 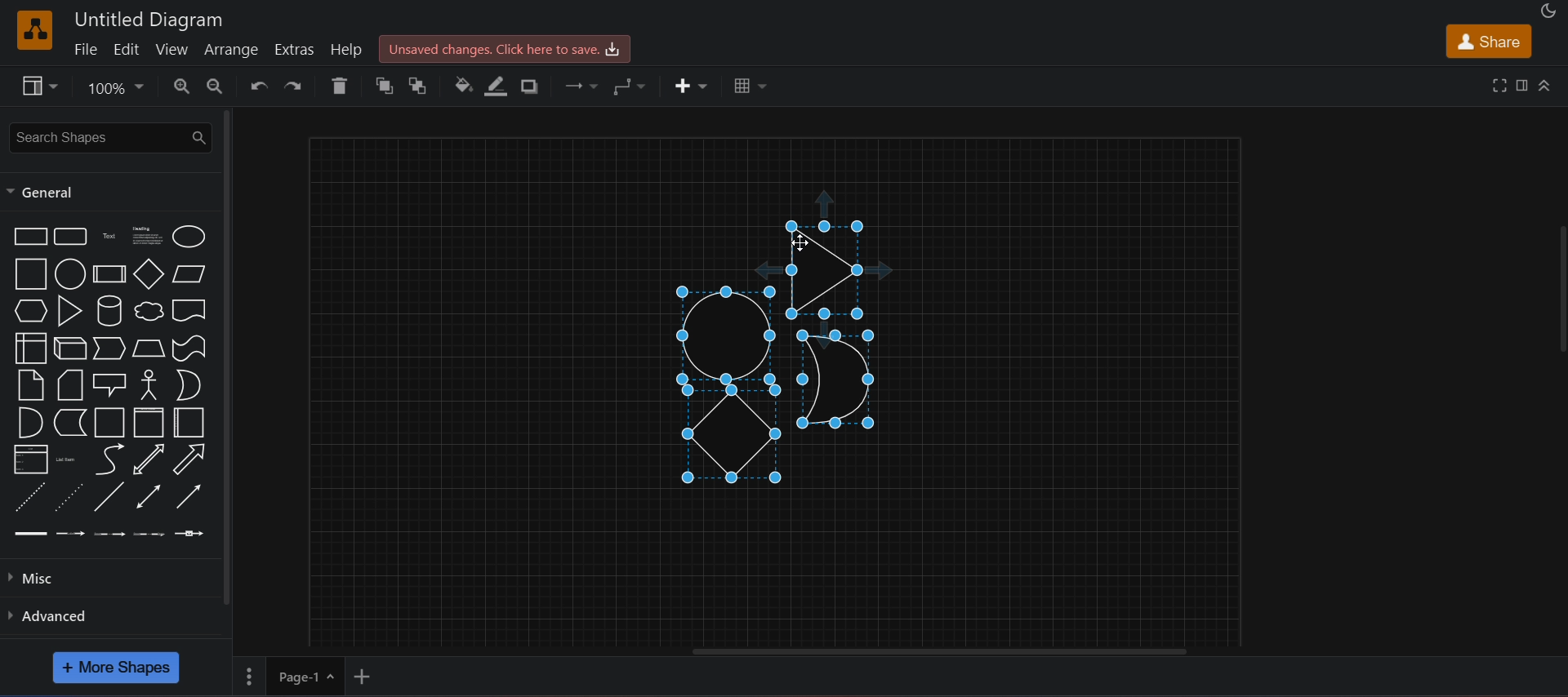 What do you see at coordinates (689, 84) in the screenshot?
I see `insert` at bounding box center [689, 84].